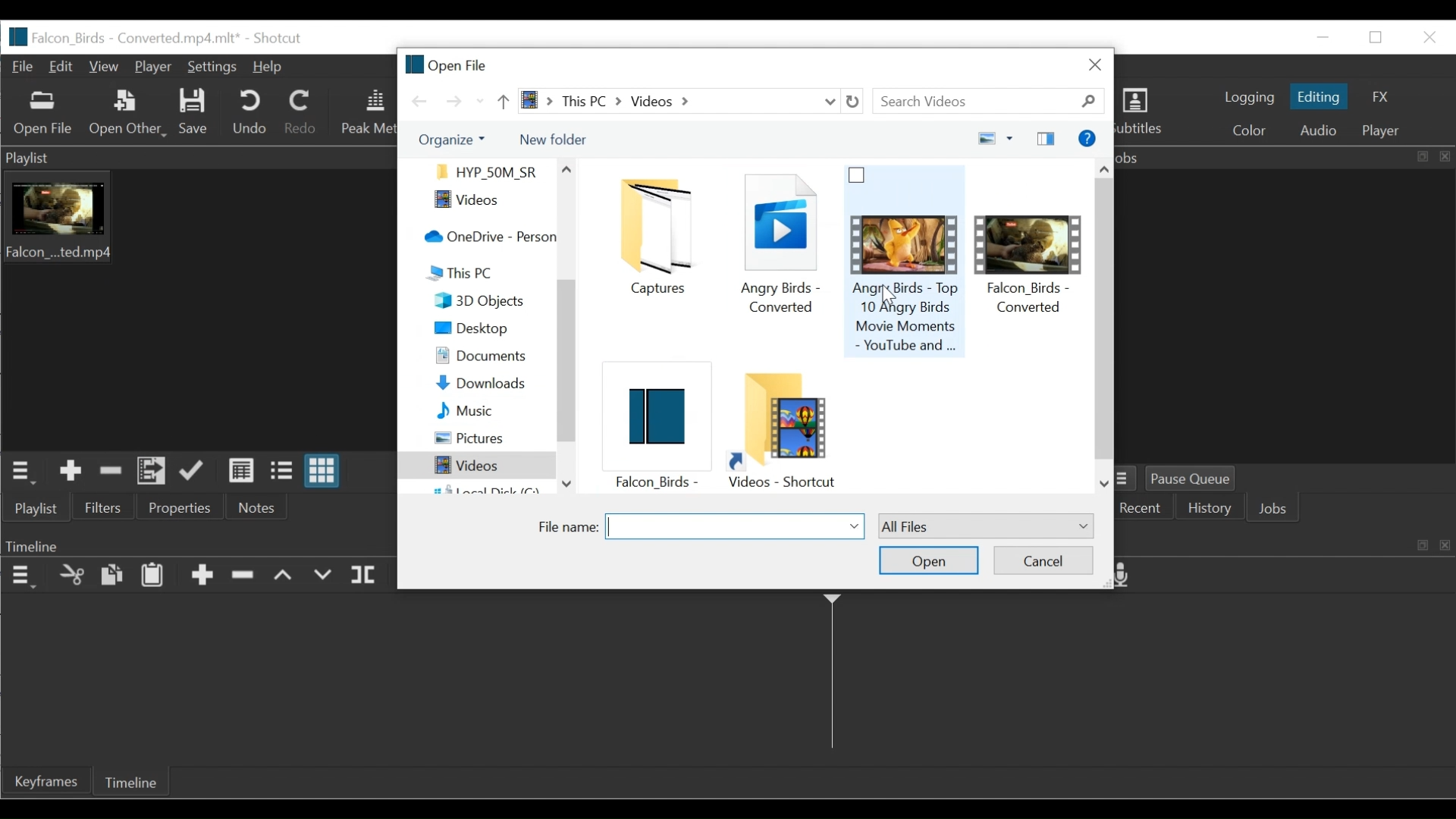  Describe the element at coordinates (64, 67) in the screenshot. I see `Edit` at that location.